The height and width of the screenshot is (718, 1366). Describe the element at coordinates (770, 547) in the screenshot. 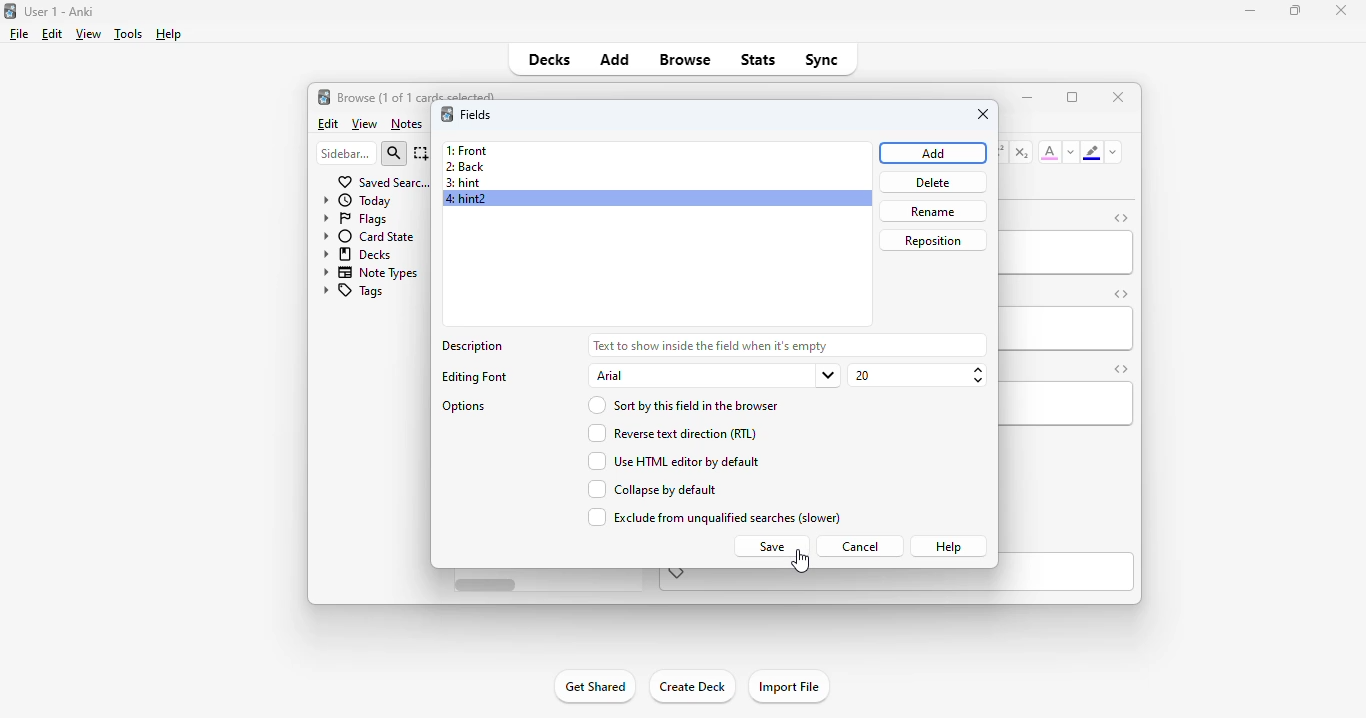

I see `save` at that location.